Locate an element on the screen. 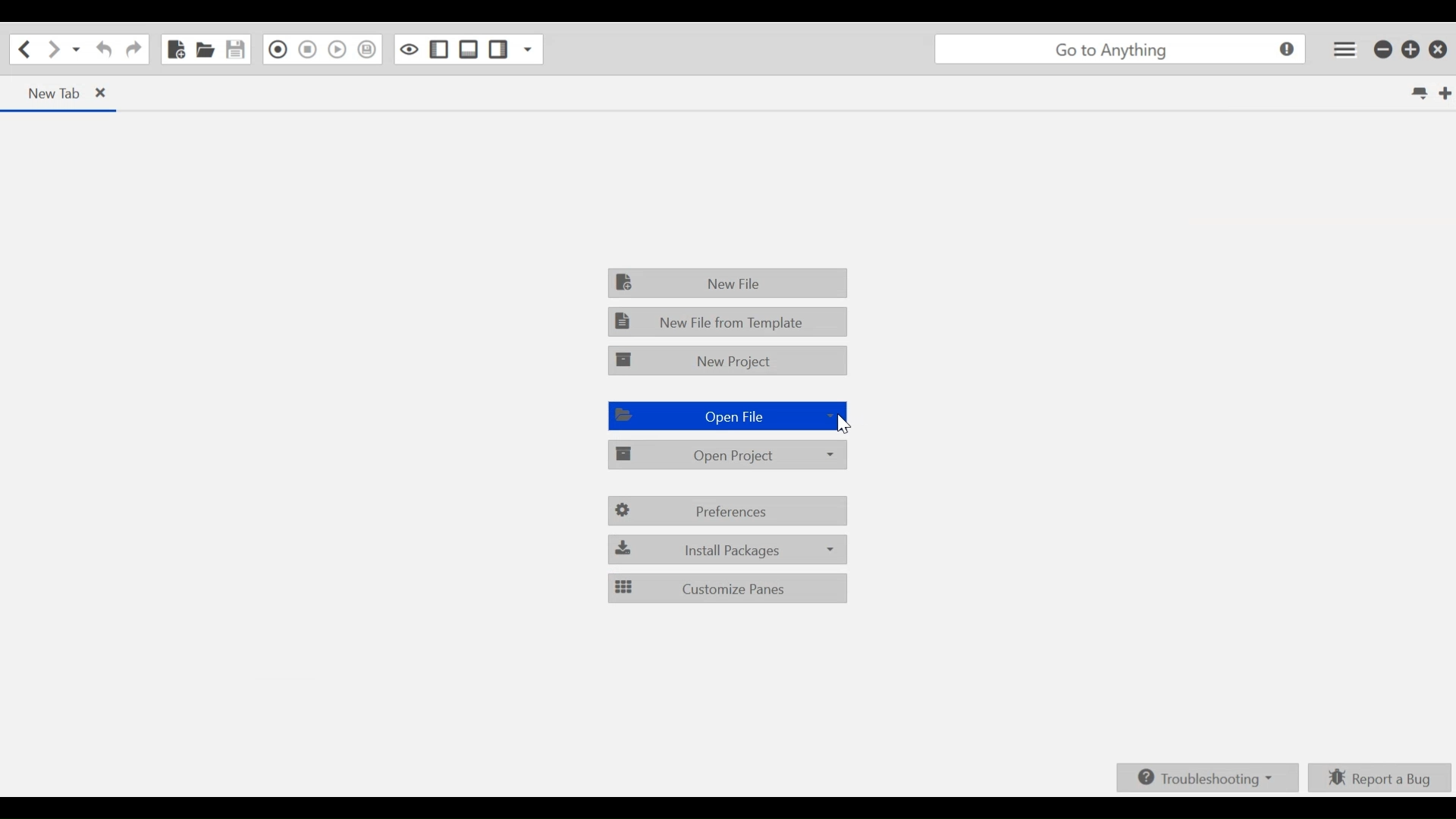  Application menu is located at coordinates (1344, 47).